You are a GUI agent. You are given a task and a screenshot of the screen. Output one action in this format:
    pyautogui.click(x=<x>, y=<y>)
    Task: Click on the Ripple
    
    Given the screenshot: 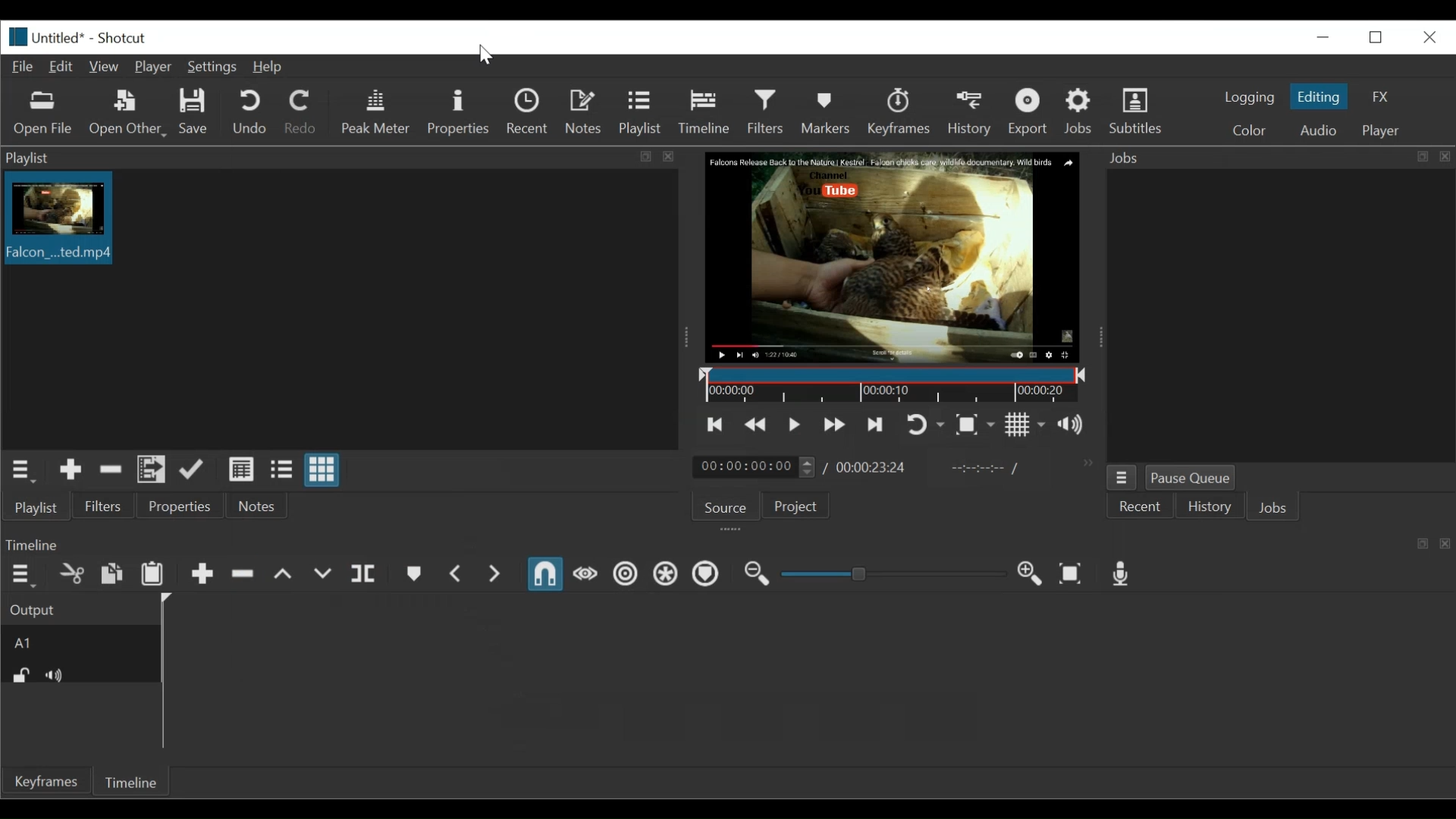 What is the action you would take?
    pyautogui.click(x=626, y=576)
    